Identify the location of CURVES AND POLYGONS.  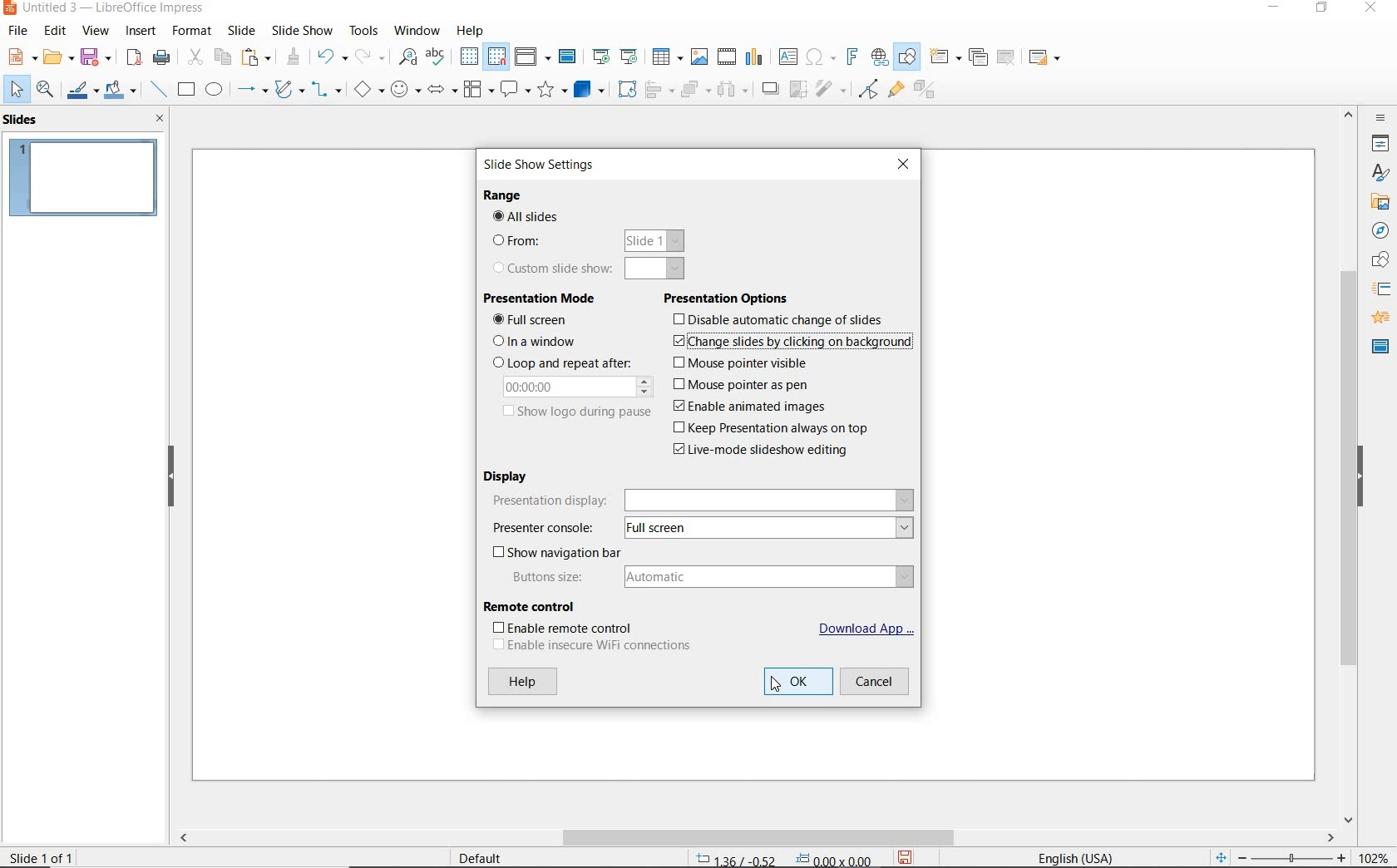
(290, 91).